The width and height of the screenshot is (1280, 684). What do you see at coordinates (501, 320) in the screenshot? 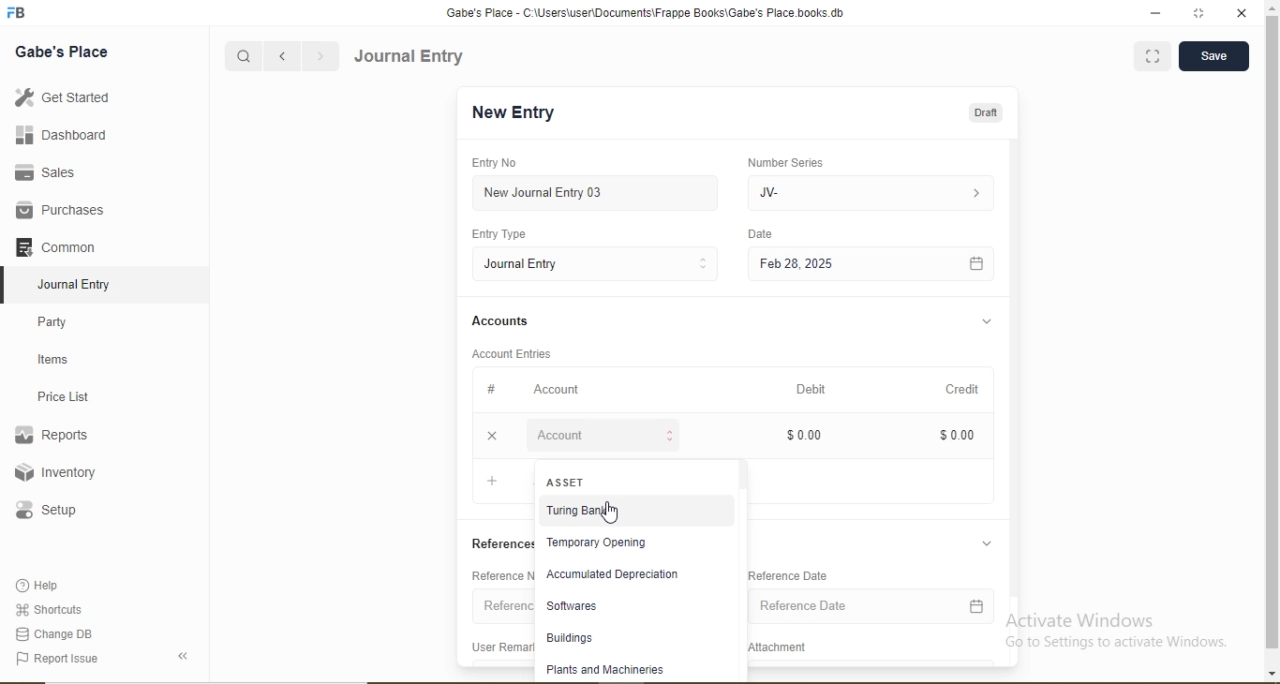
I see `Accounts` at bounding box center [501, 320].